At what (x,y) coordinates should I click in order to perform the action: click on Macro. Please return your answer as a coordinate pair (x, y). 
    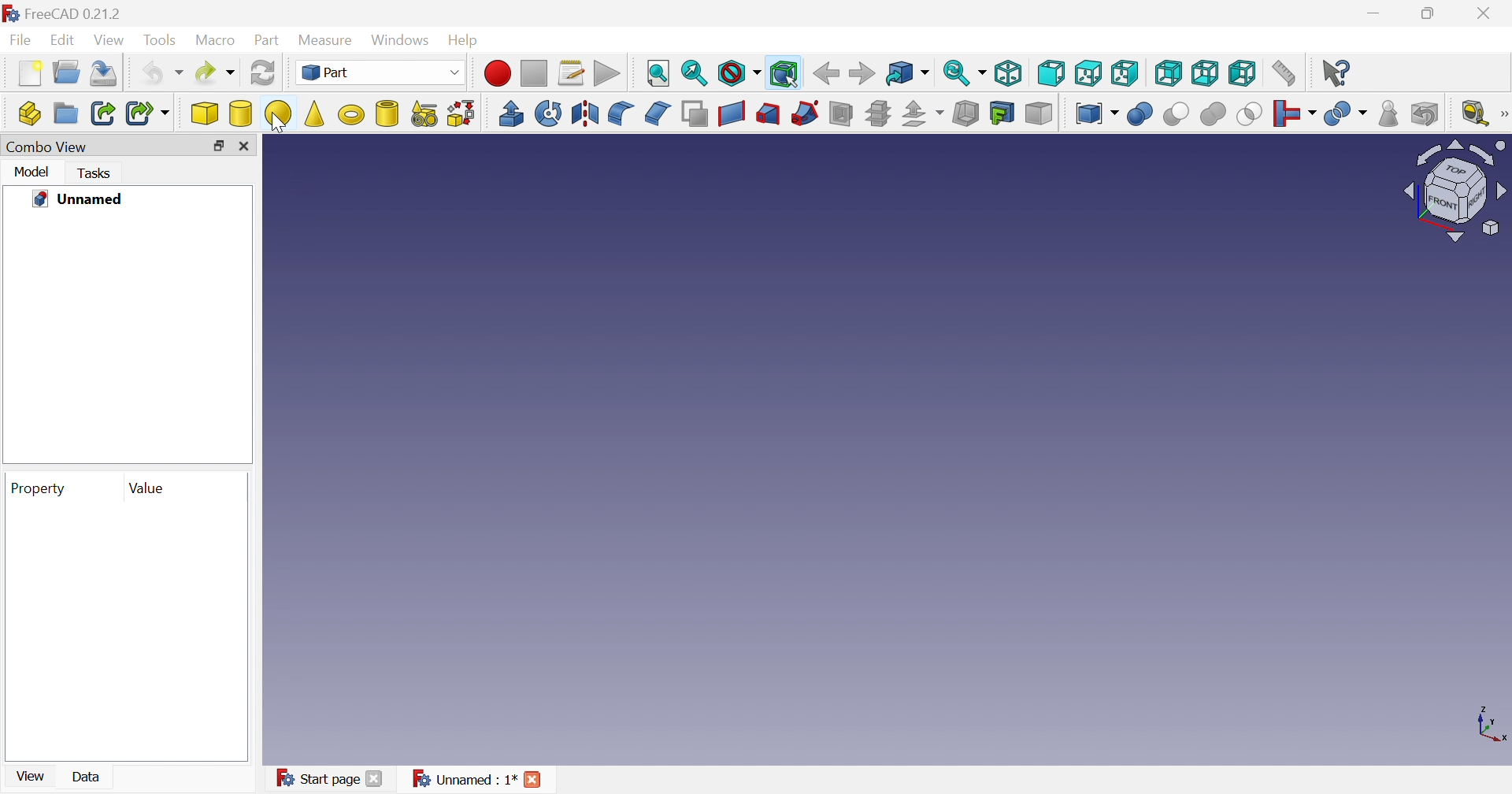
    Looking at the image, I should click on (216, 40).